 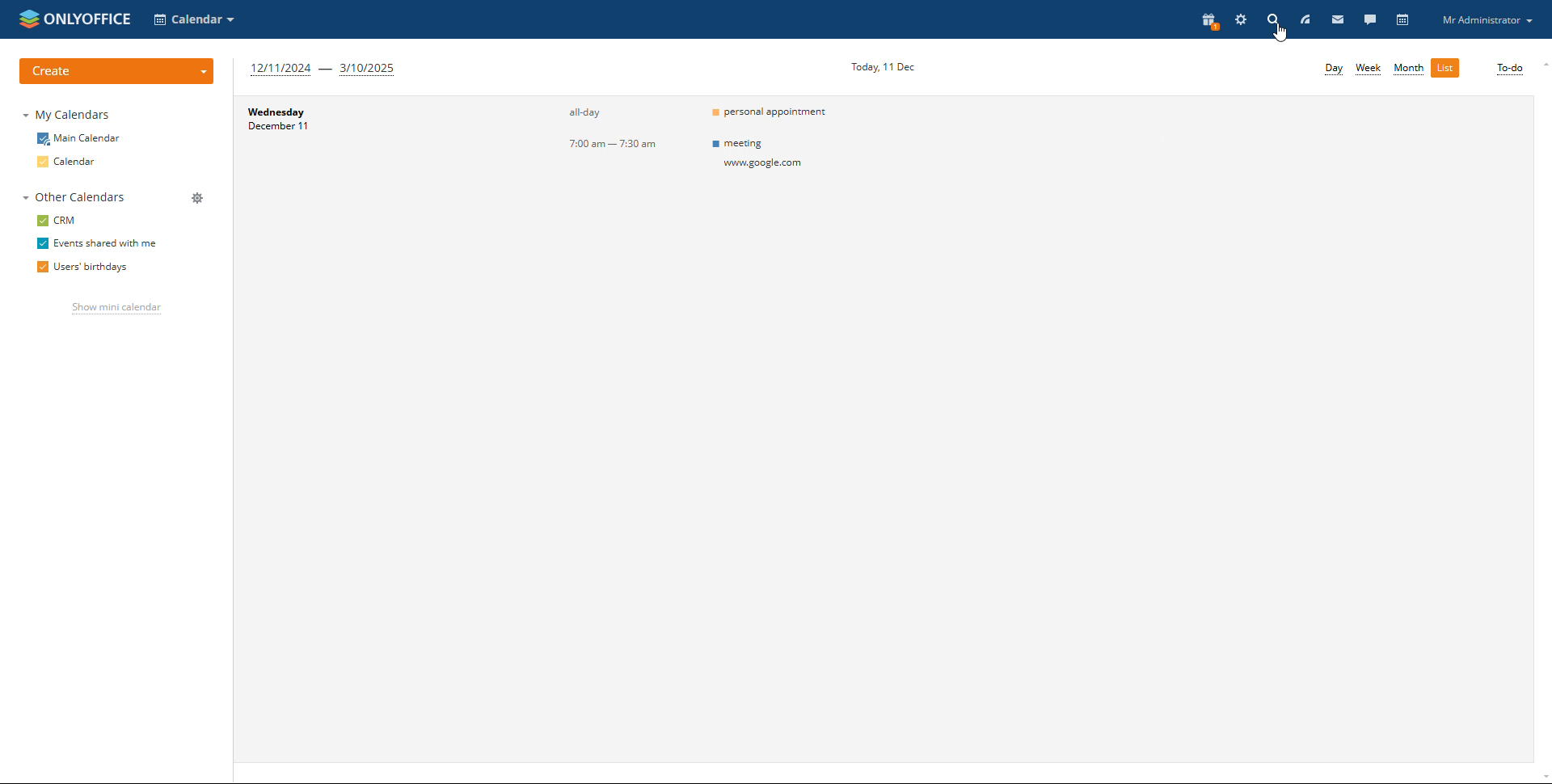 What do you see at coordinates (1542, 65) in the screenshot?
I see `scroll up` at bounding box center [1542, 65].